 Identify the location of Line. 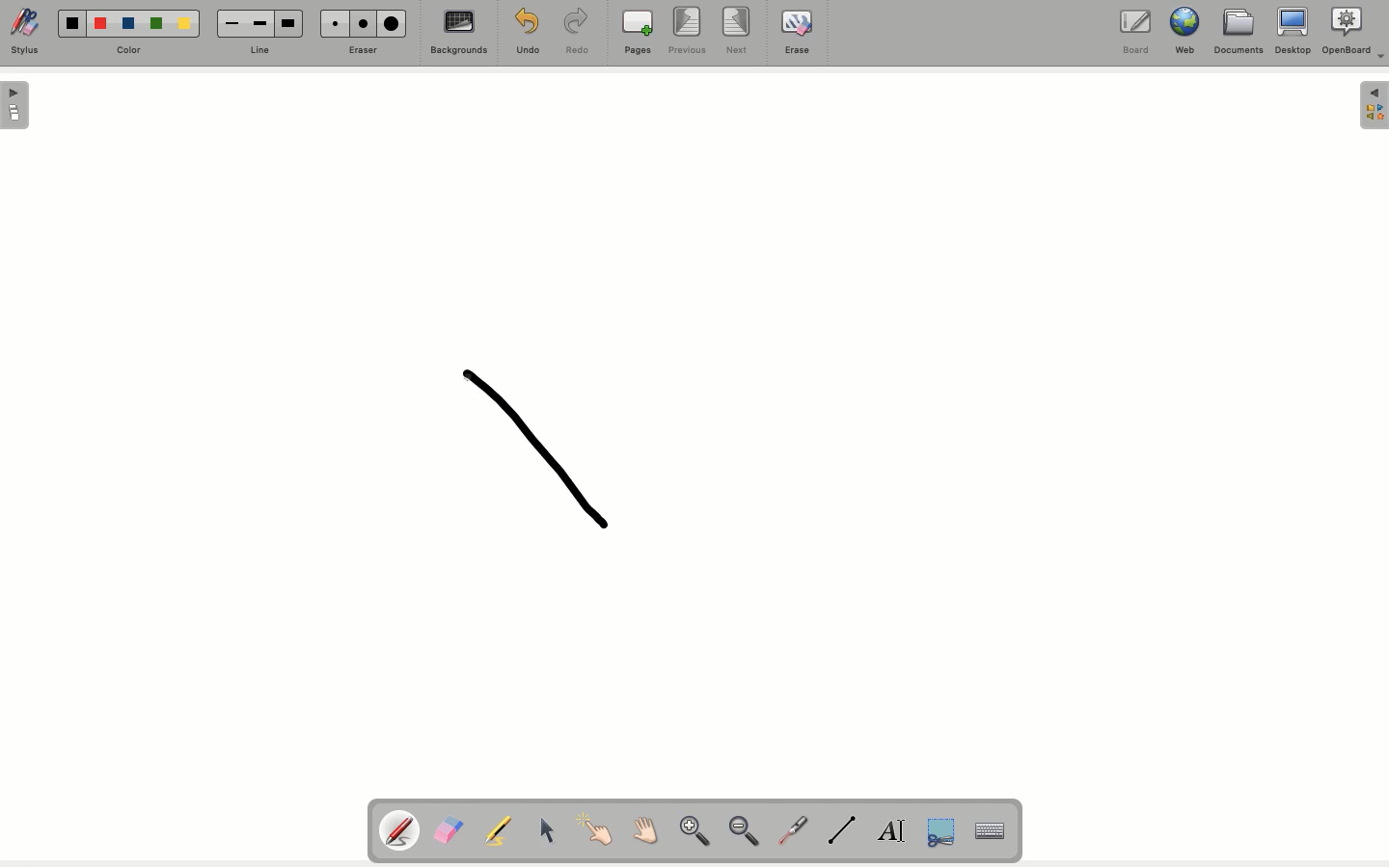
(844, 831).